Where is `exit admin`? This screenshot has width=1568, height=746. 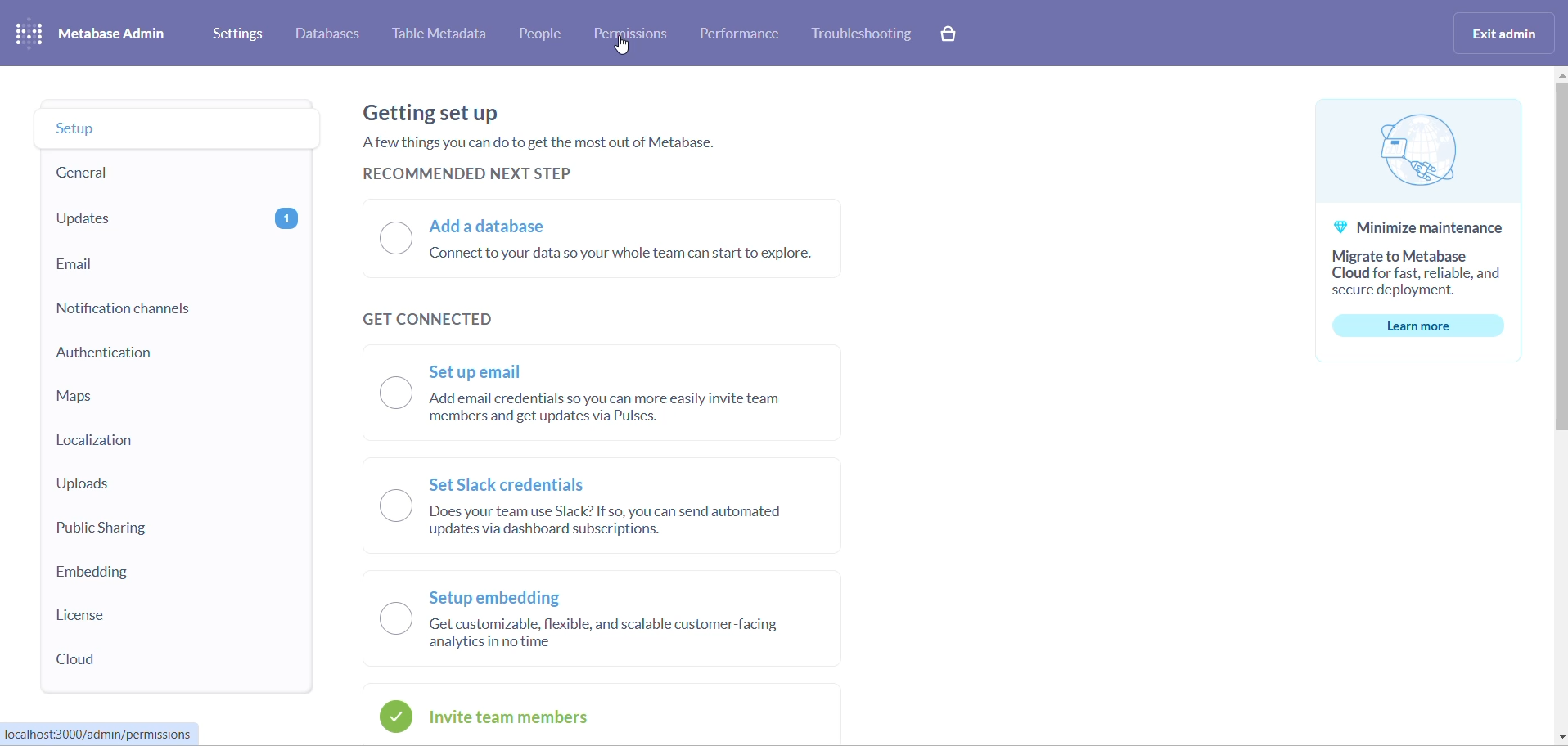 exit admin is located at coordinates (1501, 33).